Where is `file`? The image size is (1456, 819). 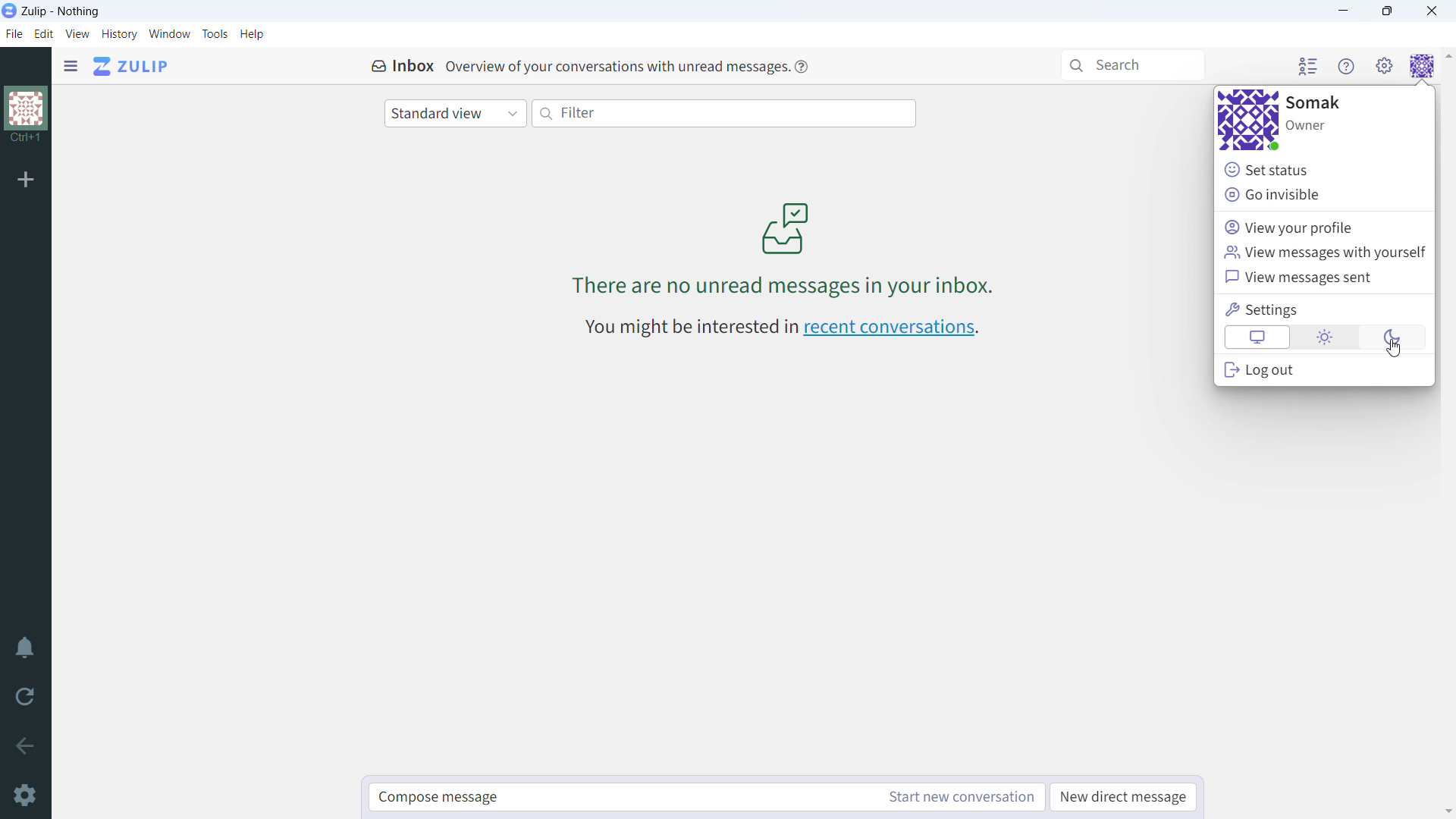 file is located at coordinates (14, 34).